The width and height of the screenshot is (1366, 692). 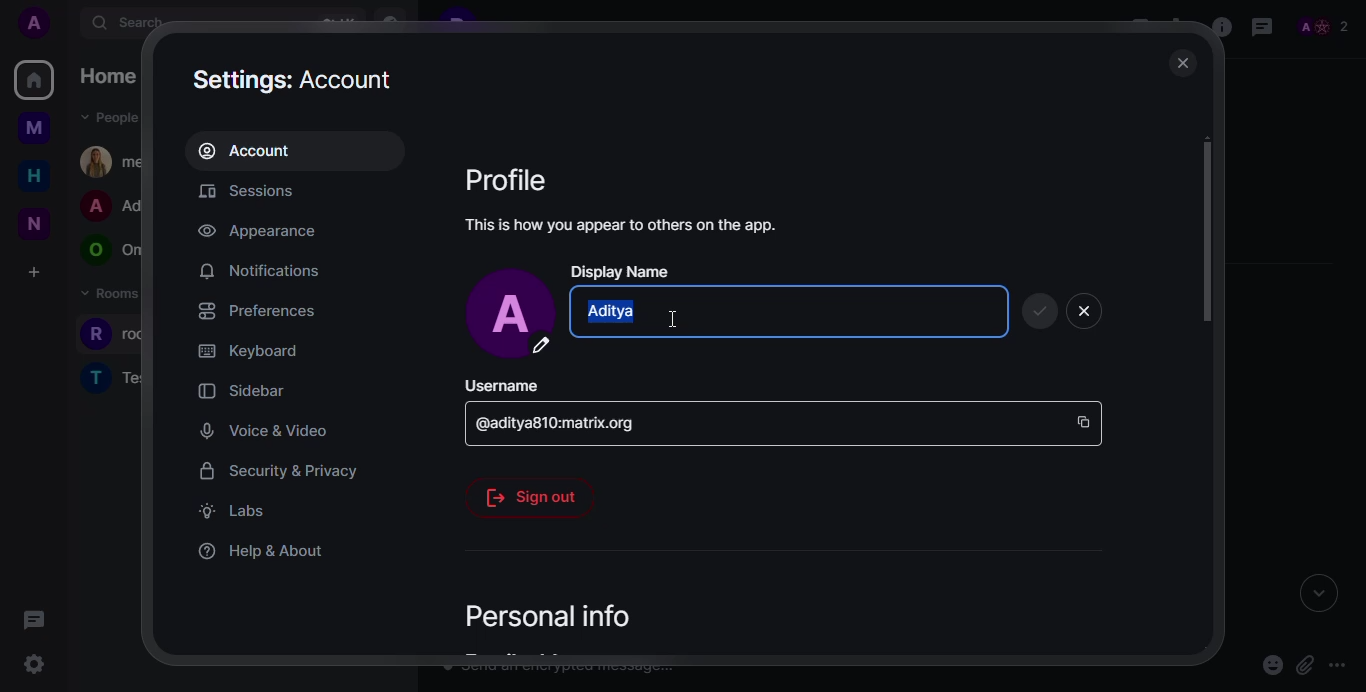 I want to click on profile pic, so click(x=507, y=315).